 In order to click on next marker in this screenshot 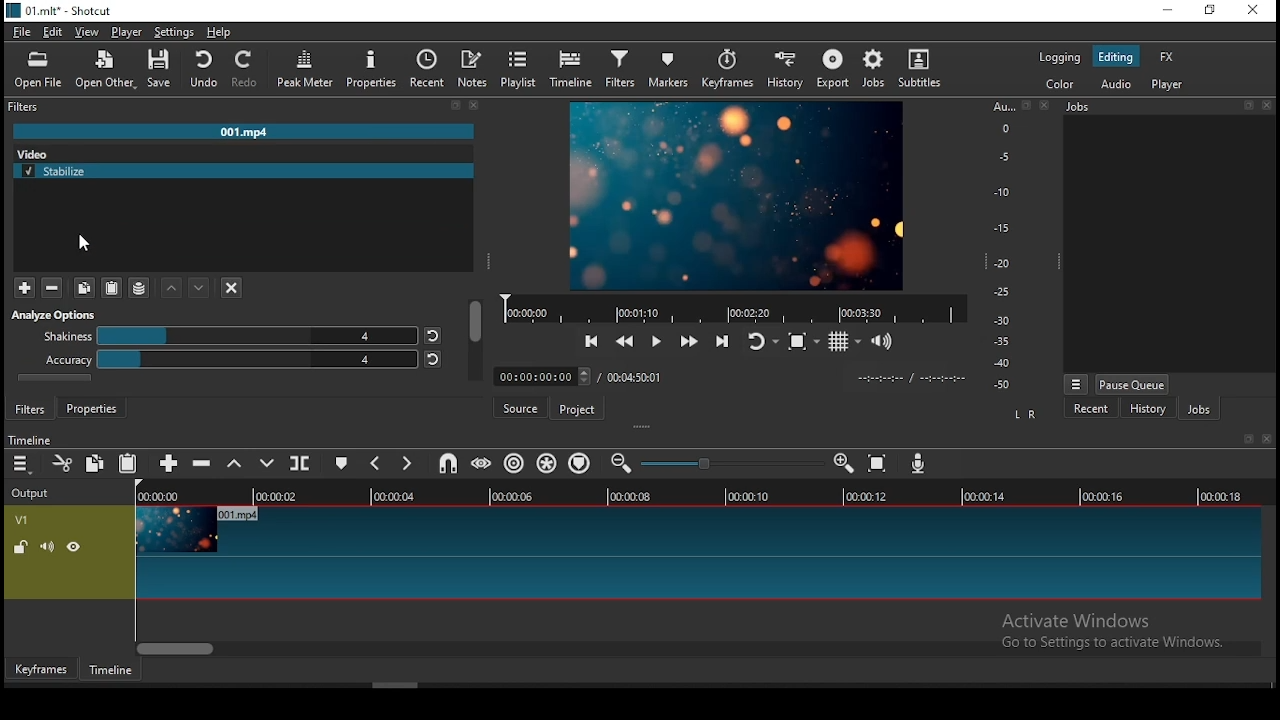, I will do `click(406, 463)`.